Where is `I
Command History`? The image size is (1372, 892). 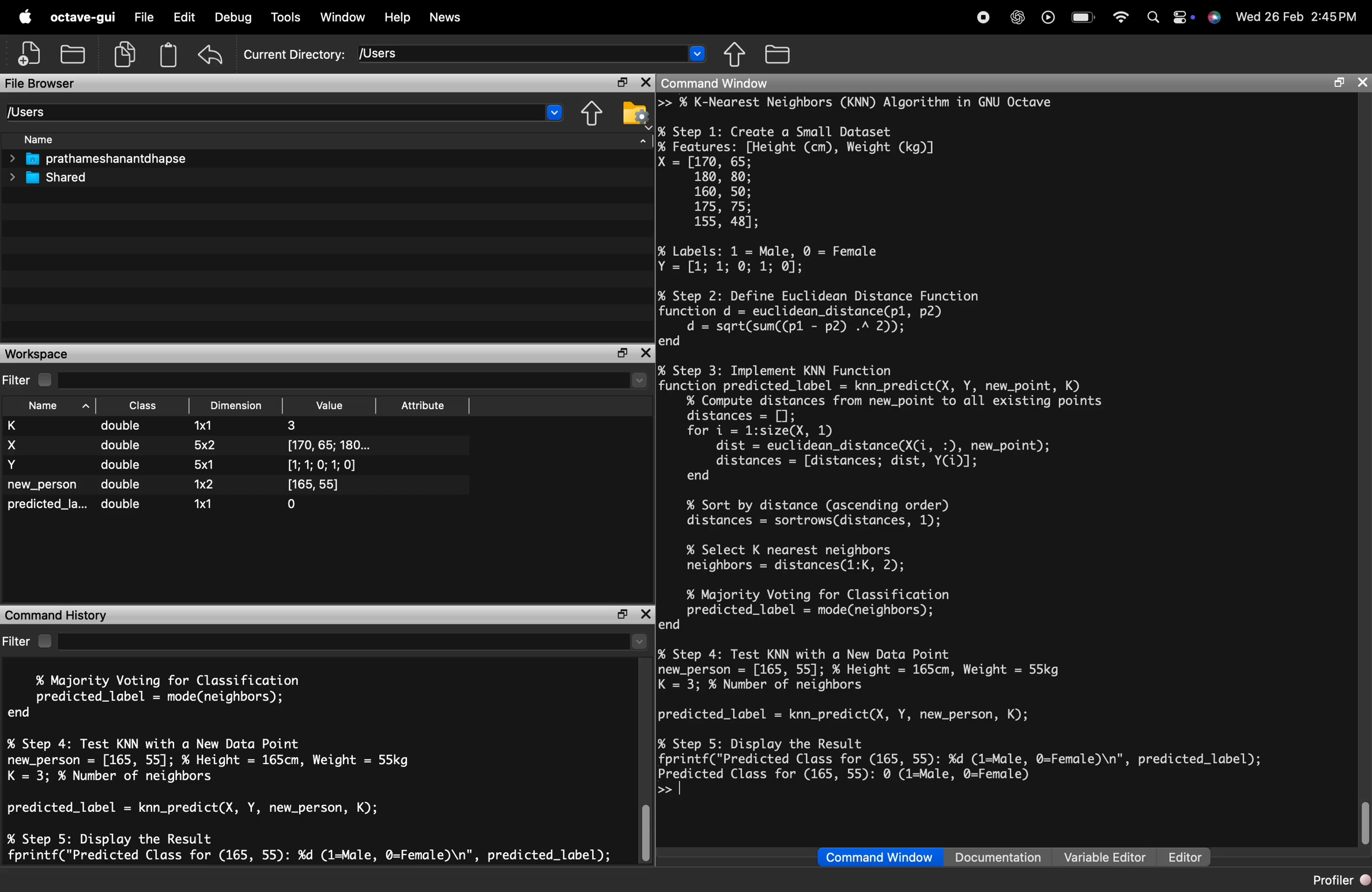
I
Command History is located at coordinates (63, 613).